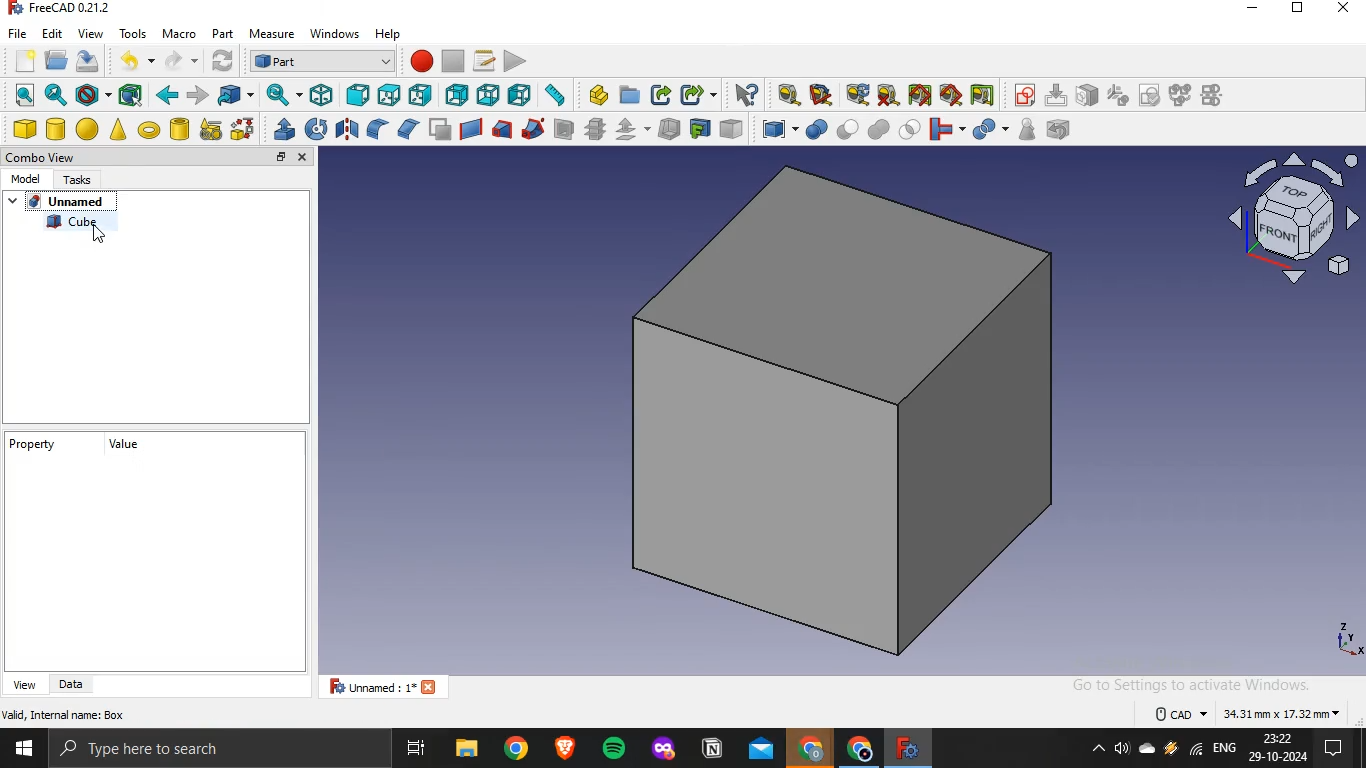  What do you see at coordinates (1171, 749) in the screenshot?
I see `winamp agent` at bounding box center [1171, 749].